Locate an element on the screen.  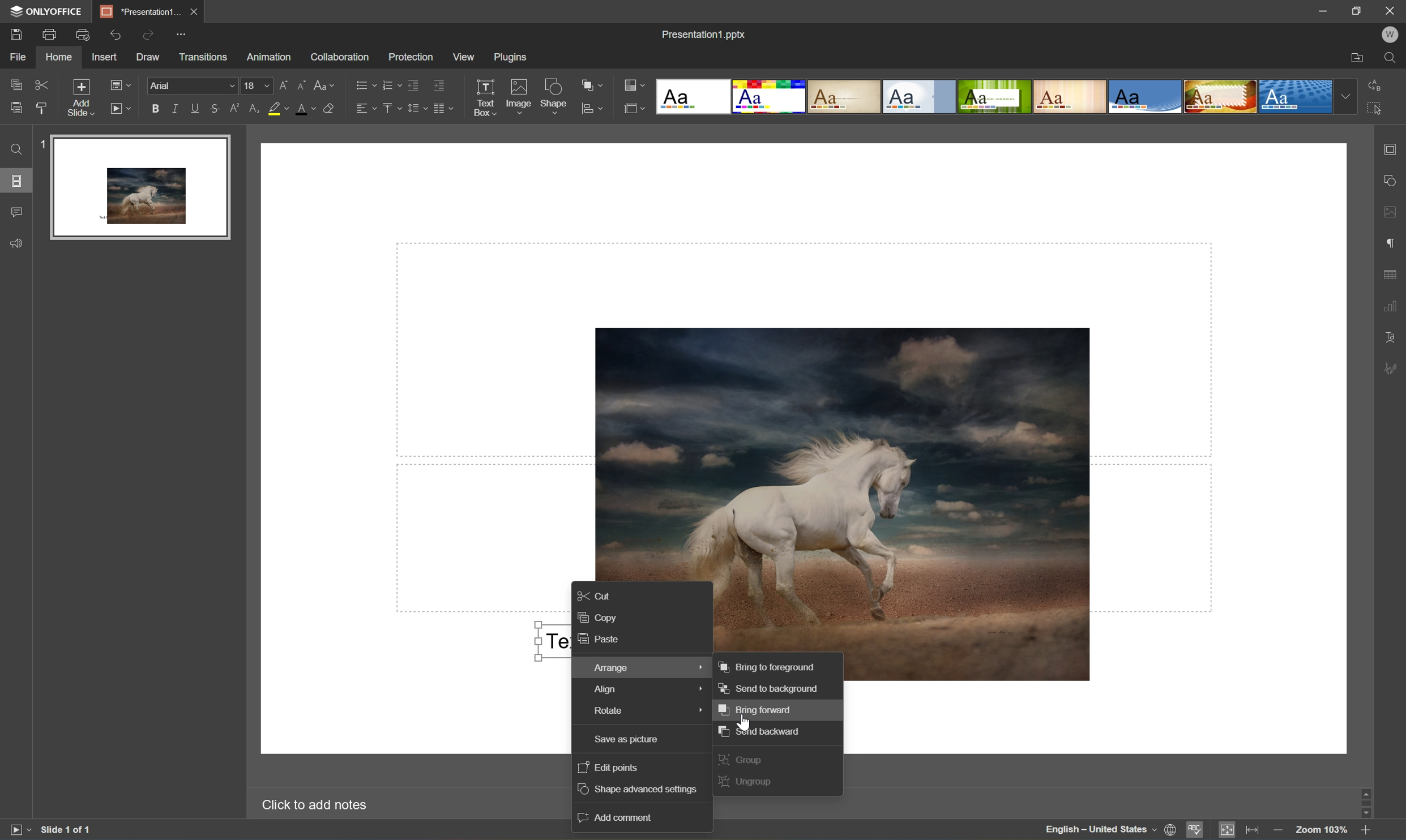
Chart settings is located at coordinates (1393, 306).